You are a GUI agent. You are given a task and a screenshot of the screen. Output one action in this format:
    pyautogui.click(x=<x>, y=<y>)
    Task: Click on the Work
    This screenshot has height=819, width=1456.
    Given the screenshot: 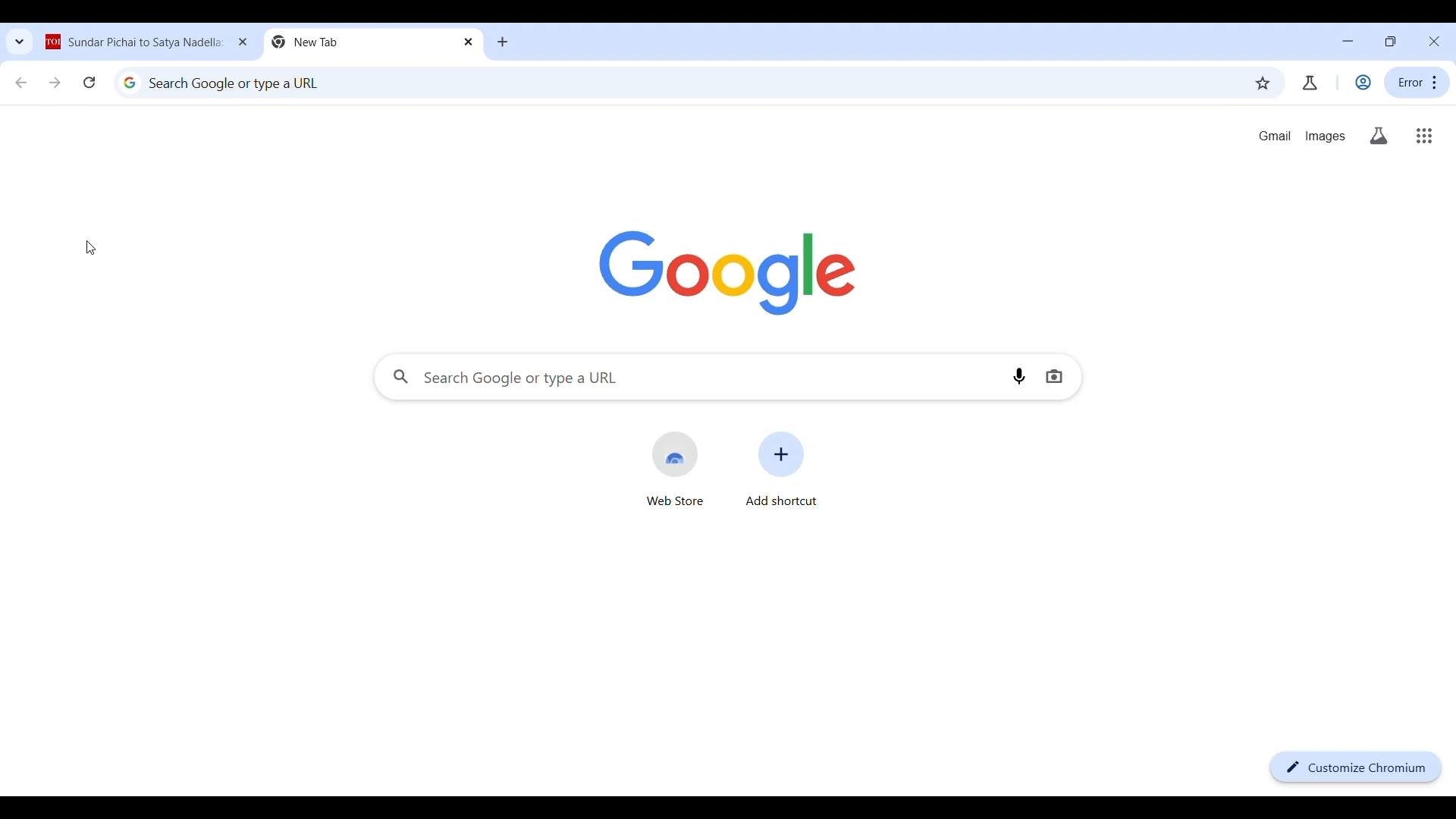 What is the action you would take?
    pyautogui.click(x=1363, y=82)
    